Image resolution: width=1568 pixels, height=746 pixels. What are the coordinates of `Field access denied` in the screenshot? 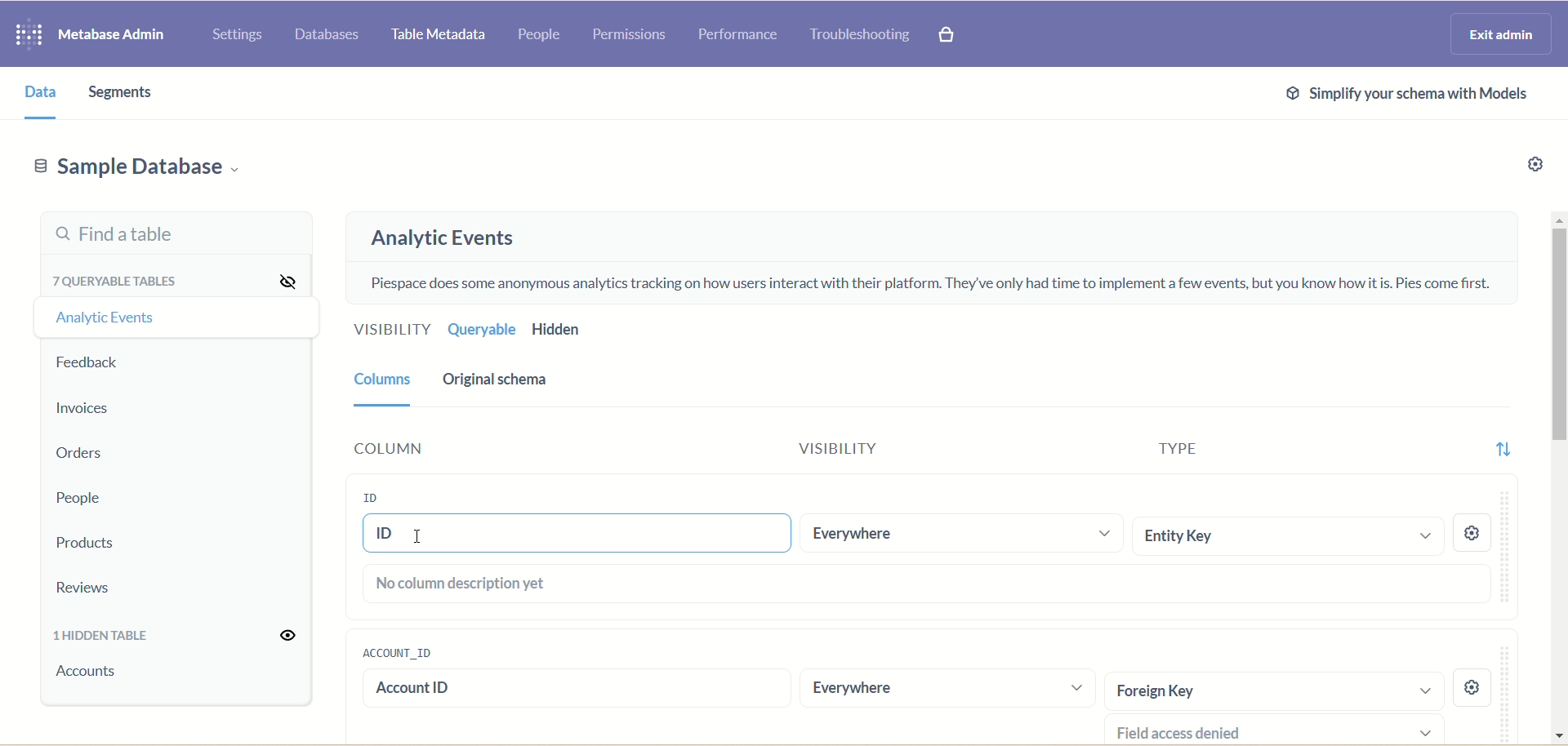 It's located at (1270, 732).